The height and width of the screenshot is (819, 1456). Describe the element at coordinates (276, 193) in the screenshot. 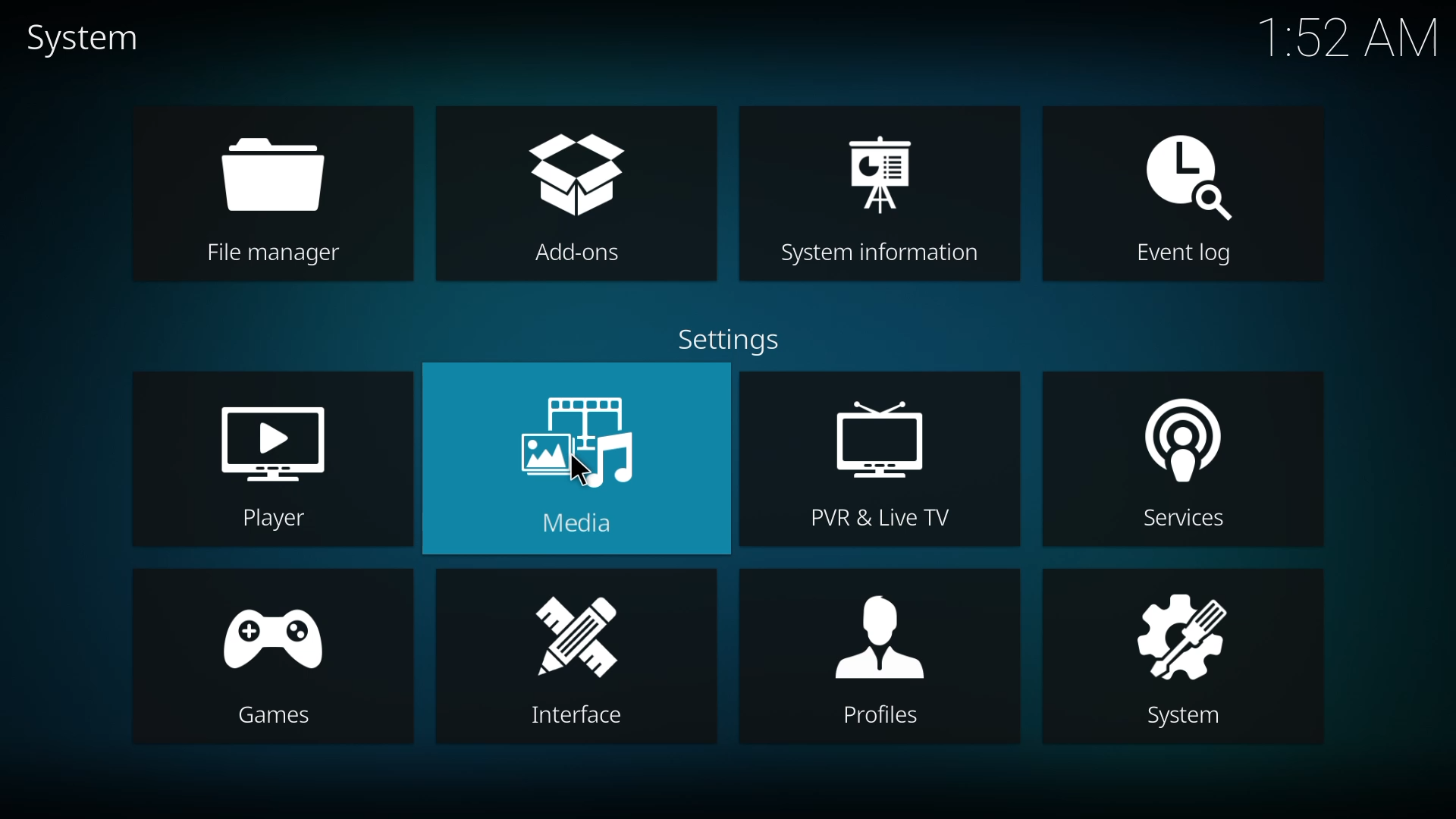

I see `file manager` at that location.